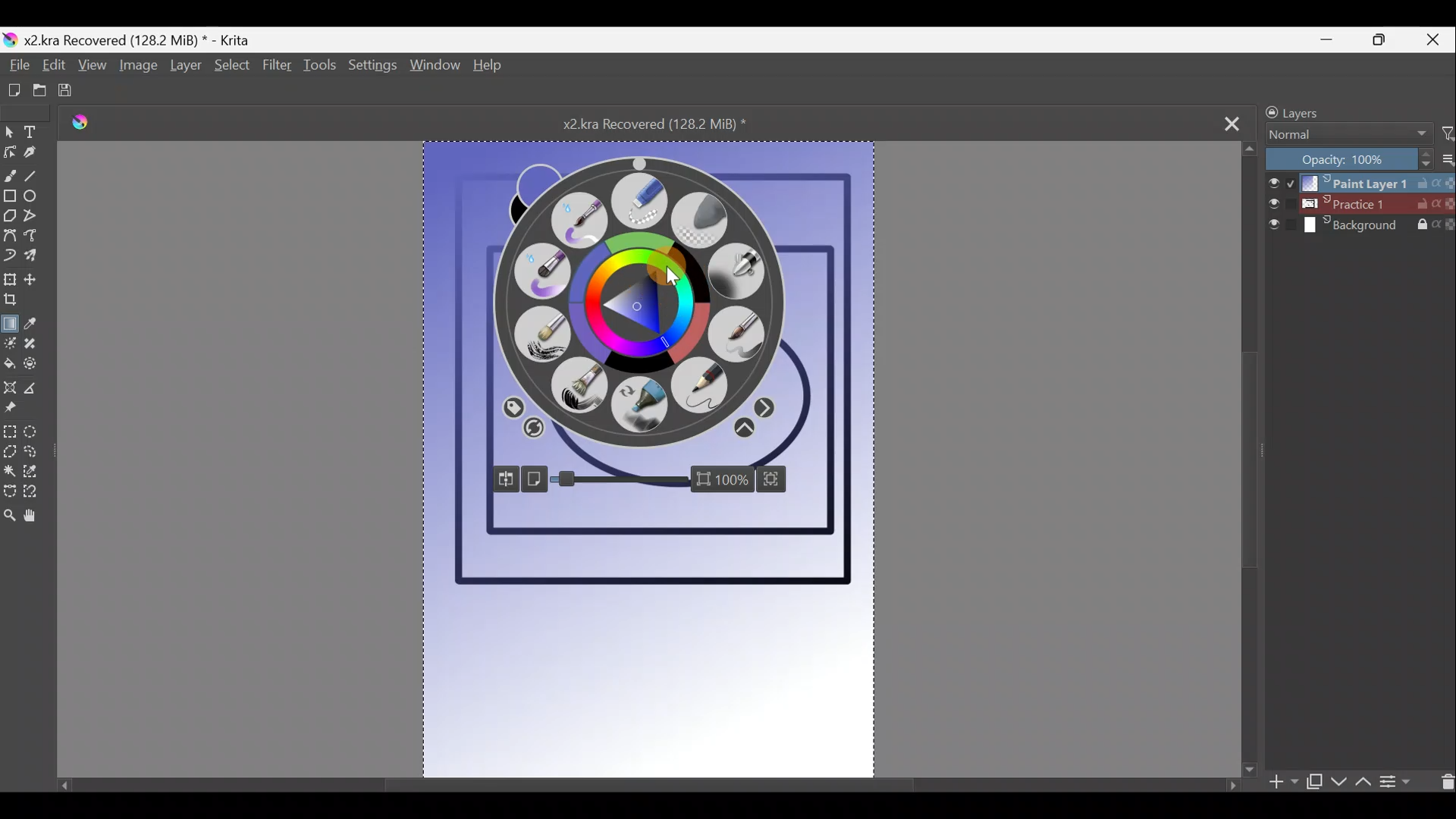 The width and height of the screenshot is (1456, 819). I want to click on Enclose & fill tool, so click(39, 367).